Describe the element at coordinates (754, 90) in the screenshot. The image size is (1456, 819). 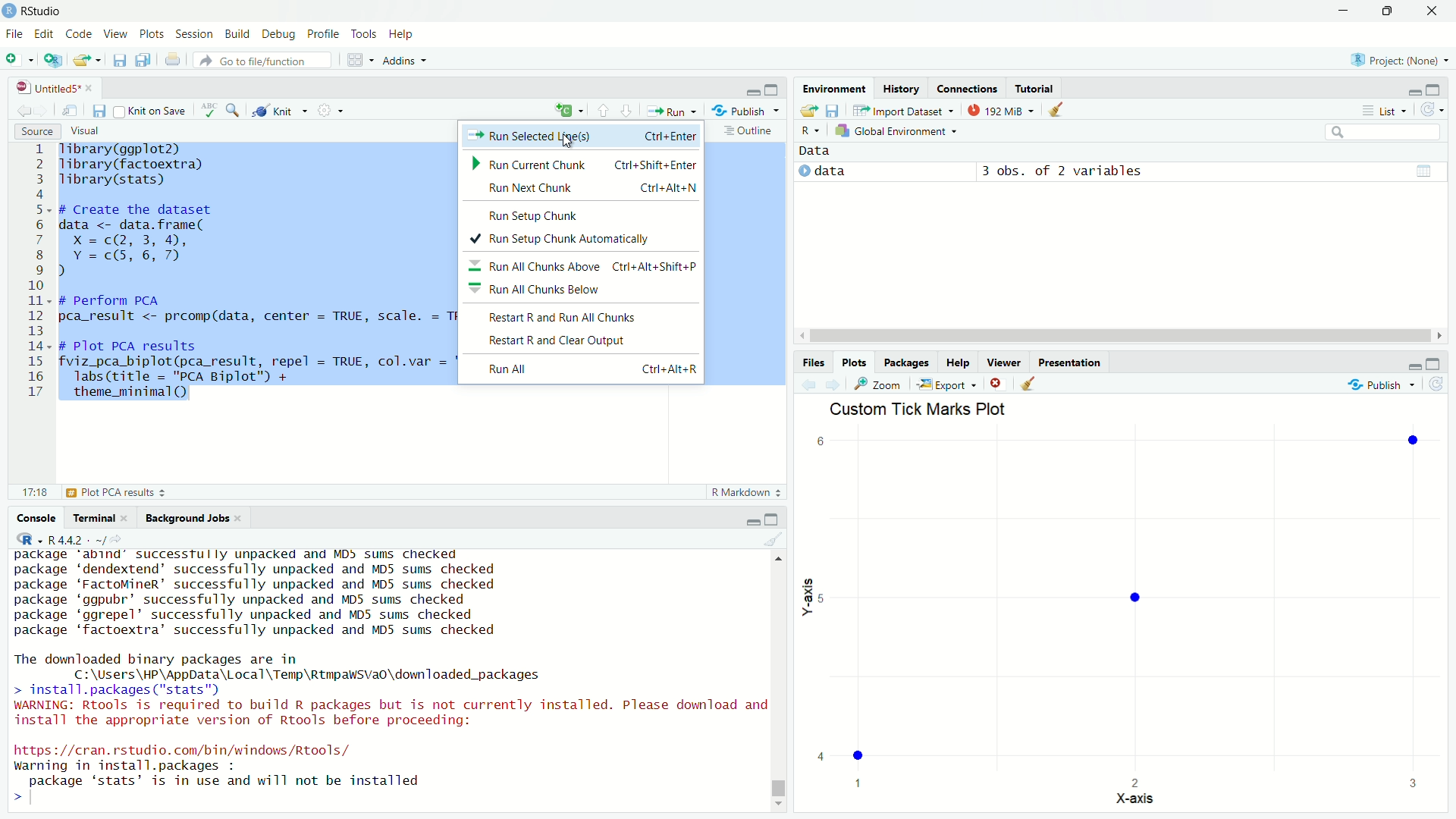
I see `minimize` at that location.